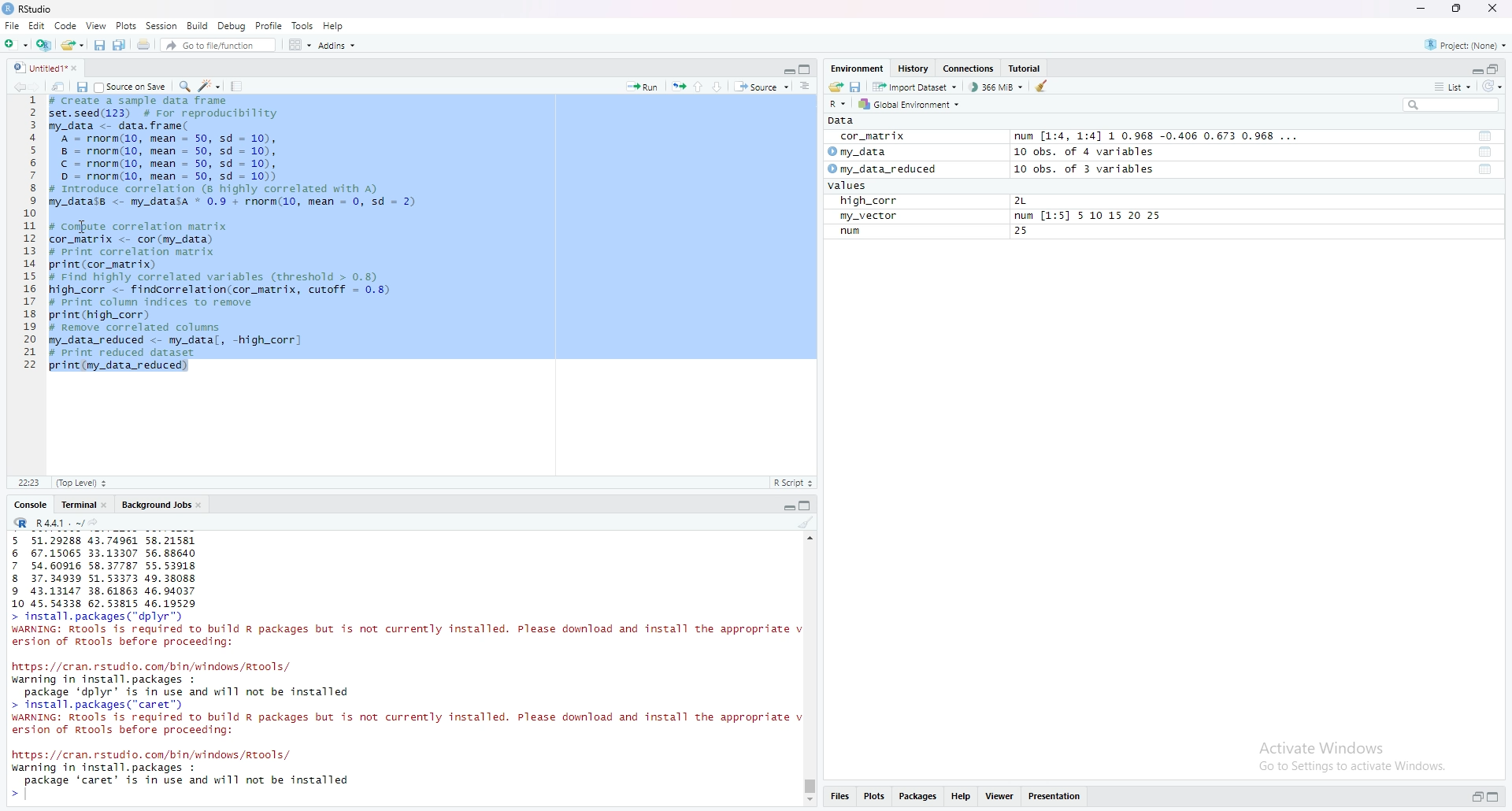  What do you see at coordinates (84, 483) in the screenshot?
I see `(Top level)` at bounding box center [84, 483].